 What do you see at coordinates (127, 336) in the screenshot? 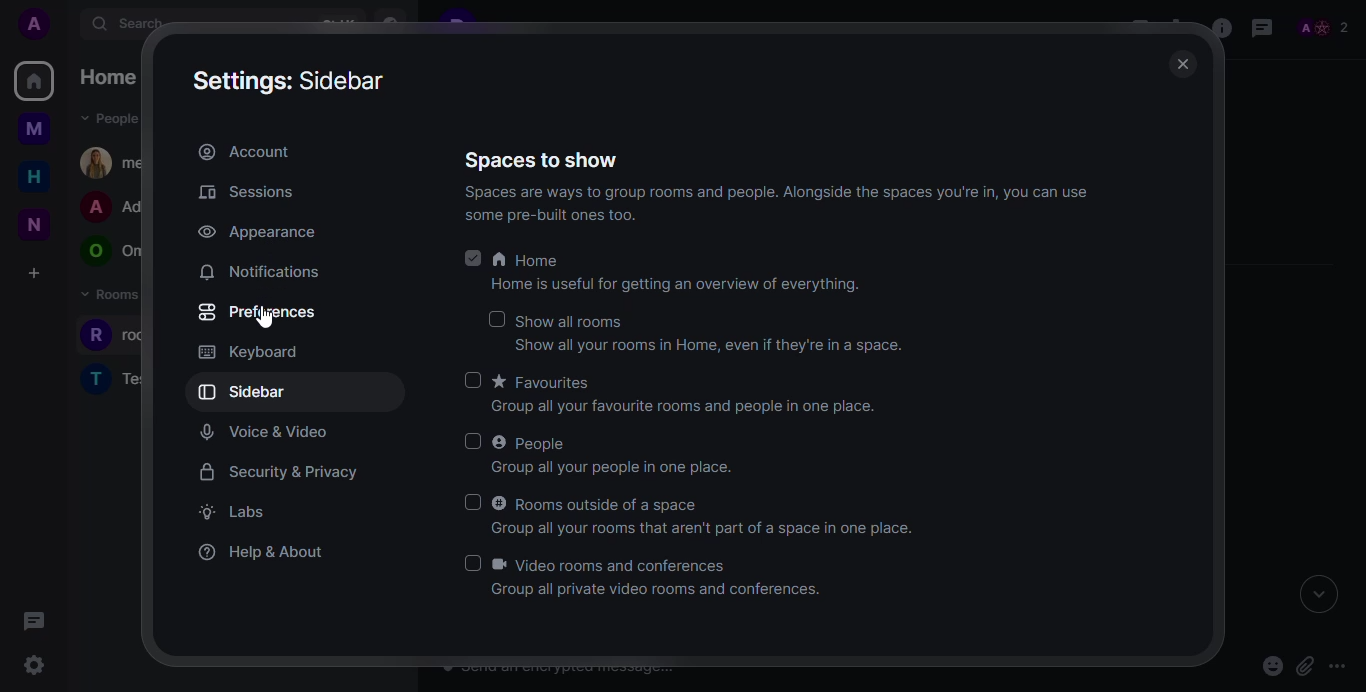
I see `room` at bounding box center [127, 336].